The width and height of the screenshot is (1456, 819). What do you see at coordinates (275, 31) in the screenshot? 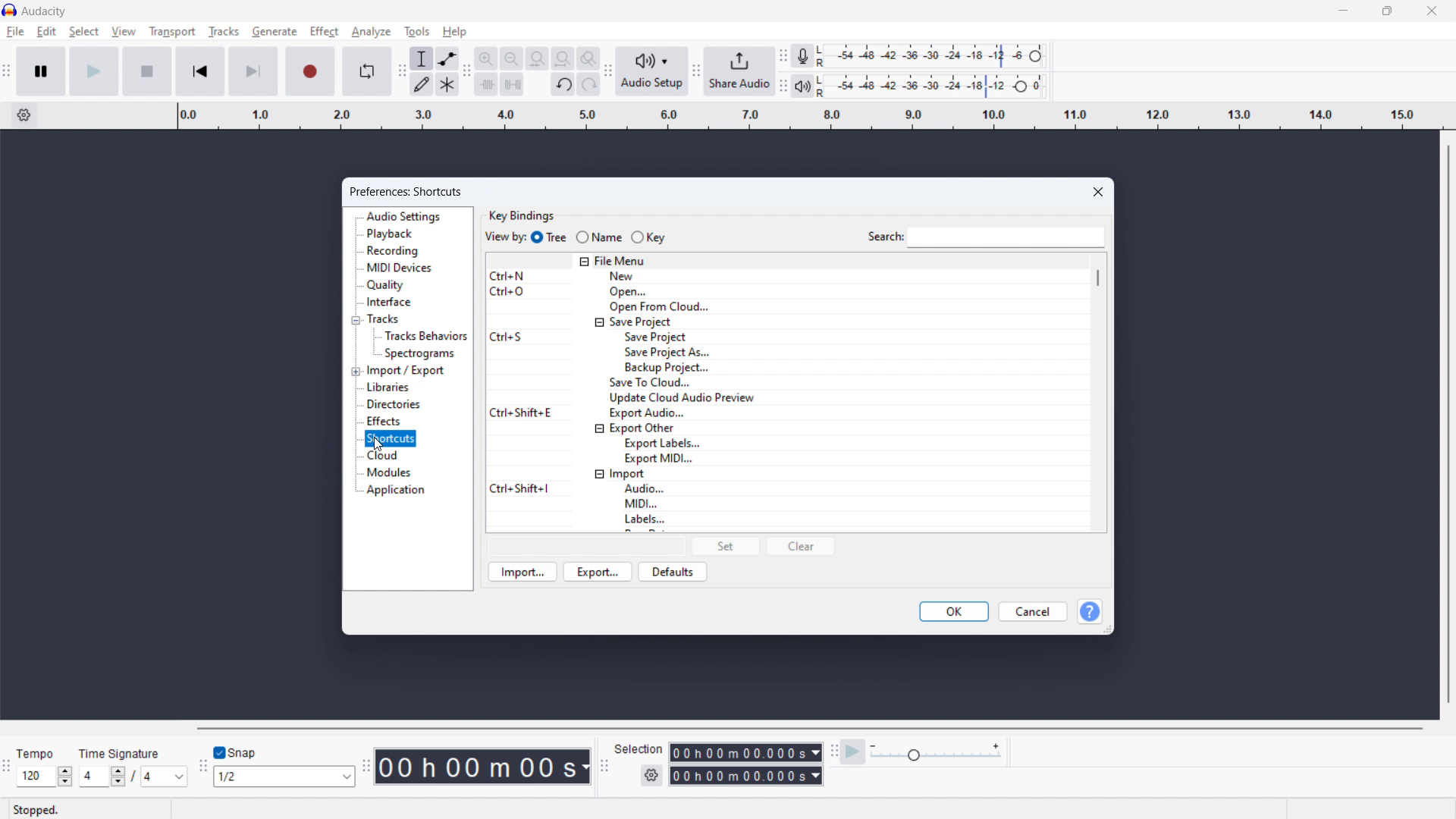
I see `generate` at bounding box center [275, 31].